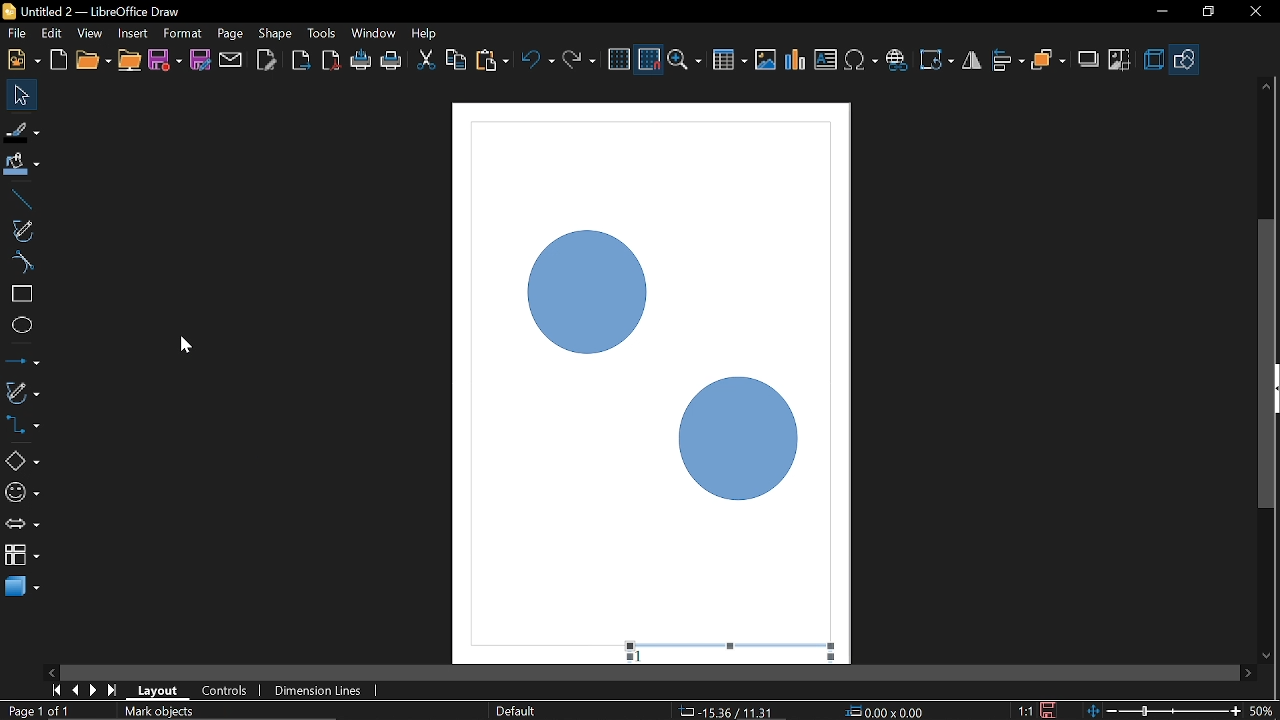  What do you see at coordinates (21, 294) in the screenshot?
I see `Rectangle` at bounding box center [21, 294].